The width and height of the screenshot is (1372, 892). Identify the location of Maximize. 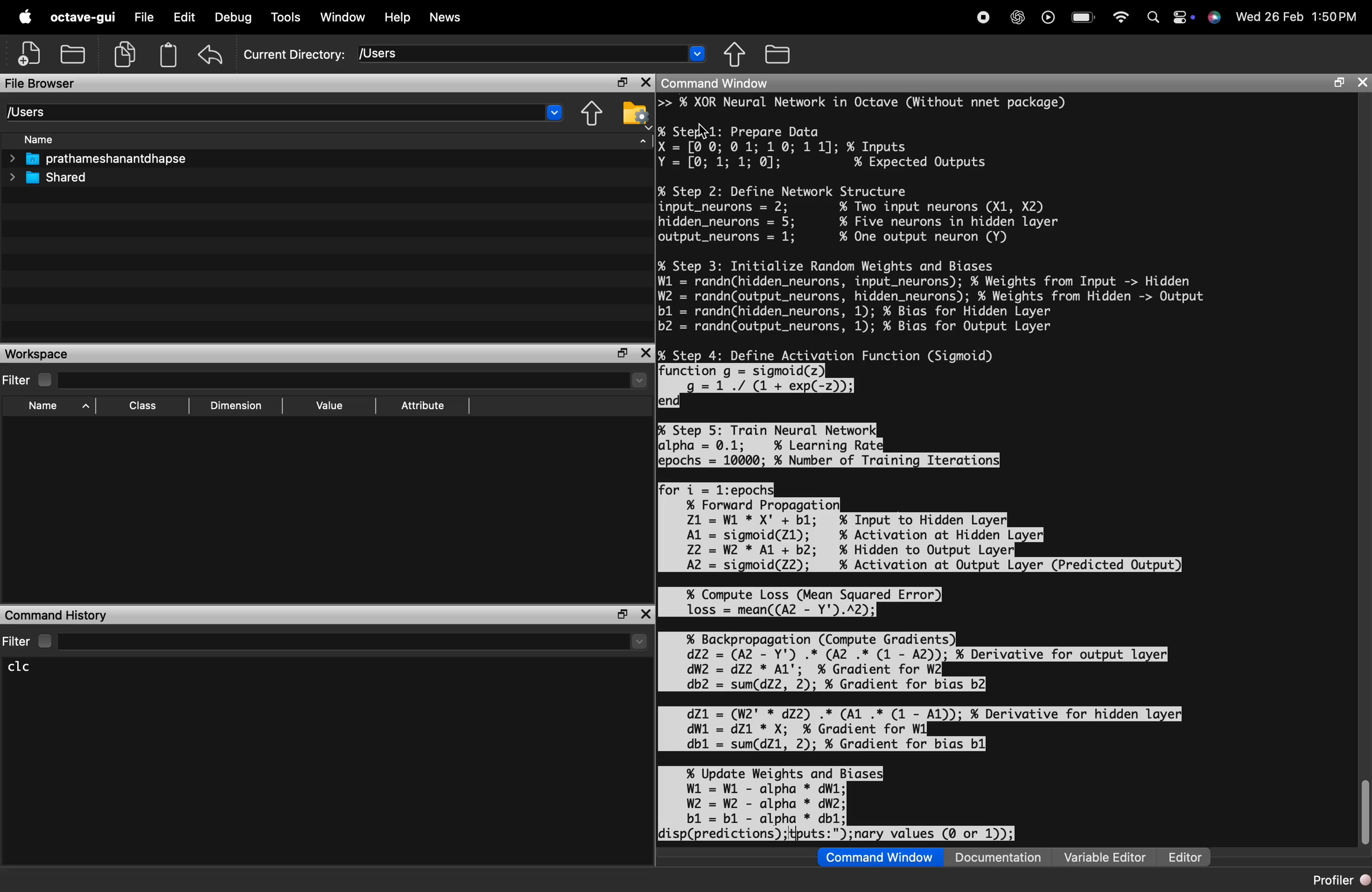
(620, 84).